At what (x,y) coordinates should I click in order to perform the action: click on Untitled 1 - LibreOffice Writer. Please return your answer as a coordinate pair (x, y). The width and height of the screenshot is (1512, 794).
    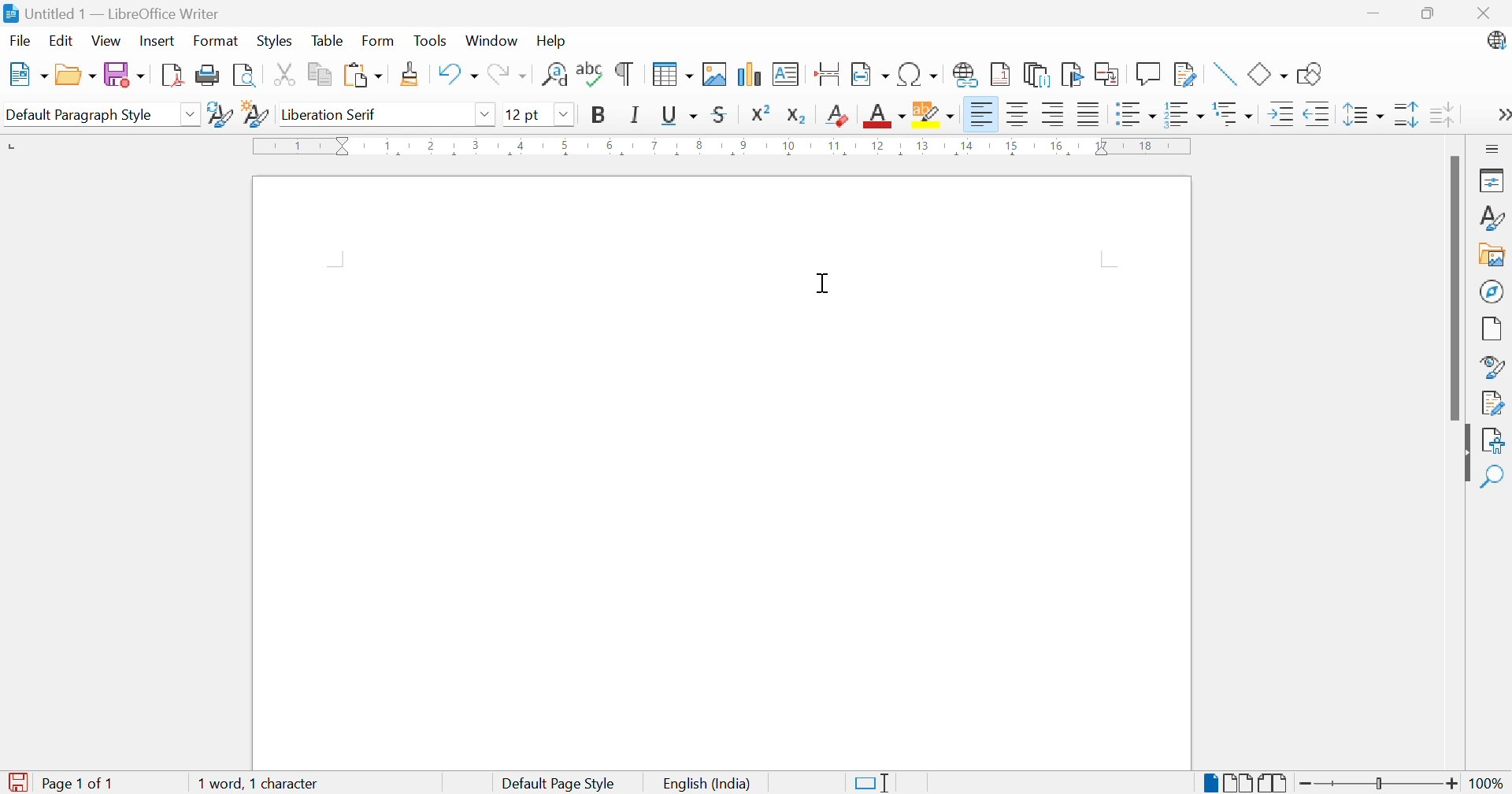
    Looking at the image, I should click on (110, 13).